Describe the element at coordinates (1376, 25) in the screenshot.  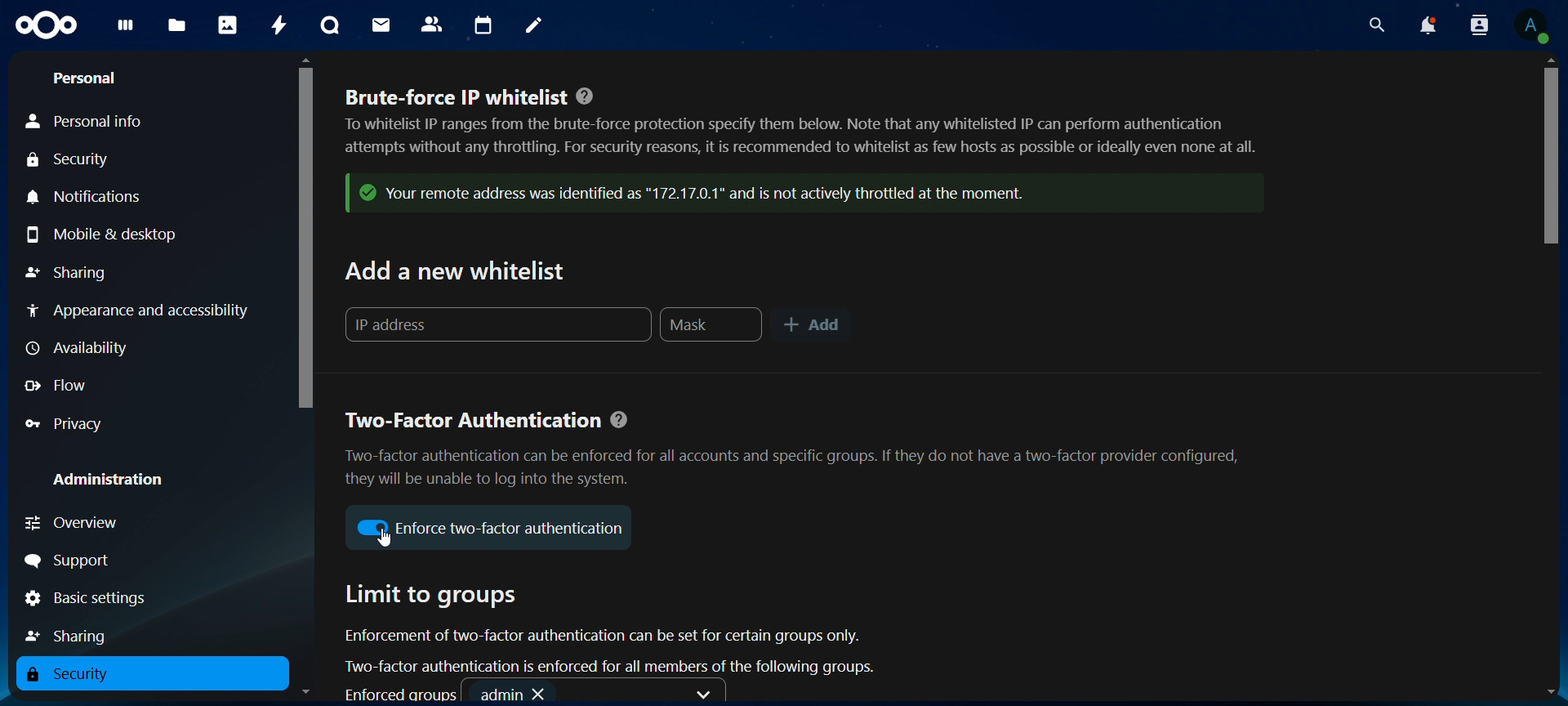
I see `search` at that location.